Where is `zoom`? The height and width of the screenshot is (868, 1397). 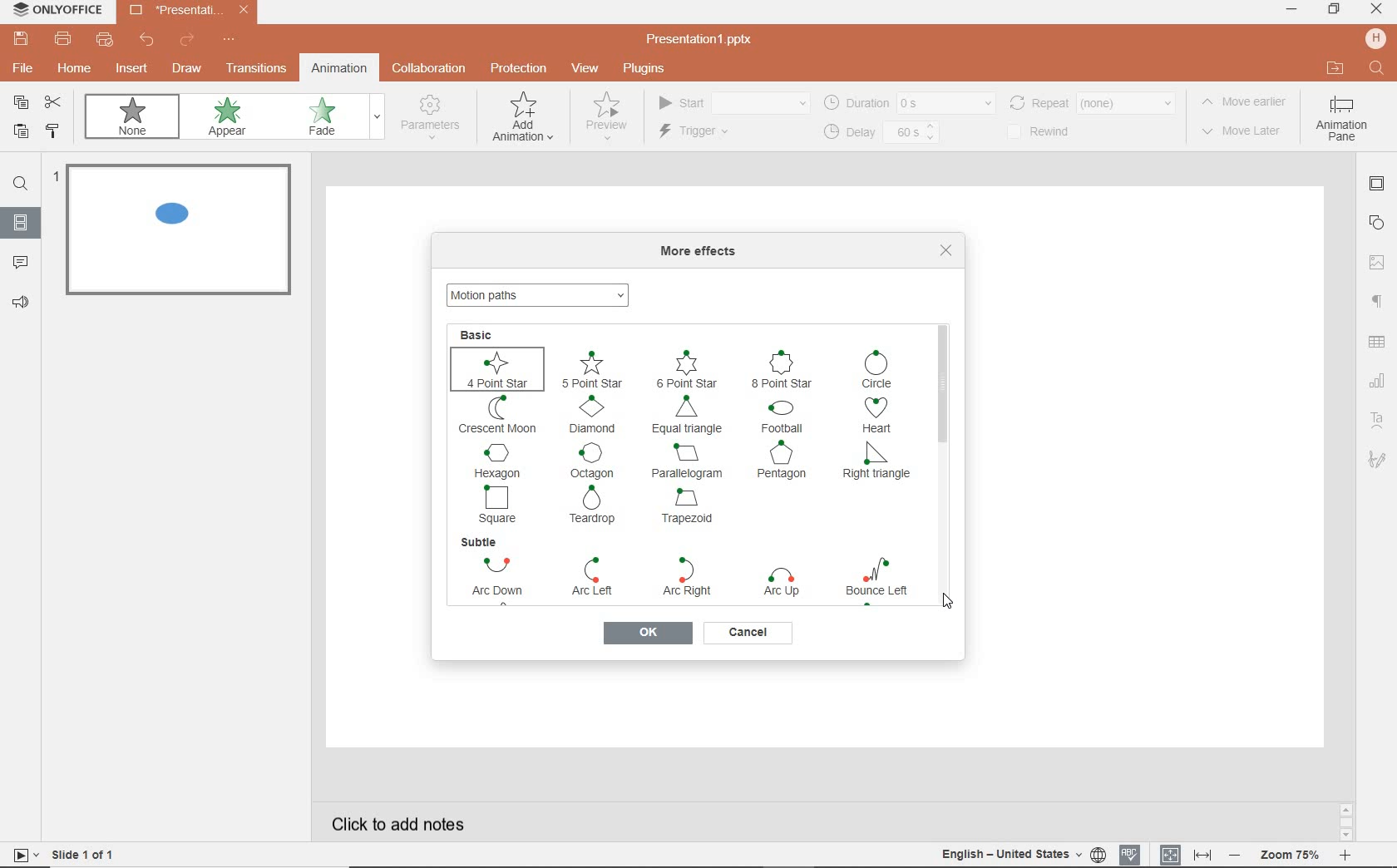
zoom is located at coordinates (1292, 853).